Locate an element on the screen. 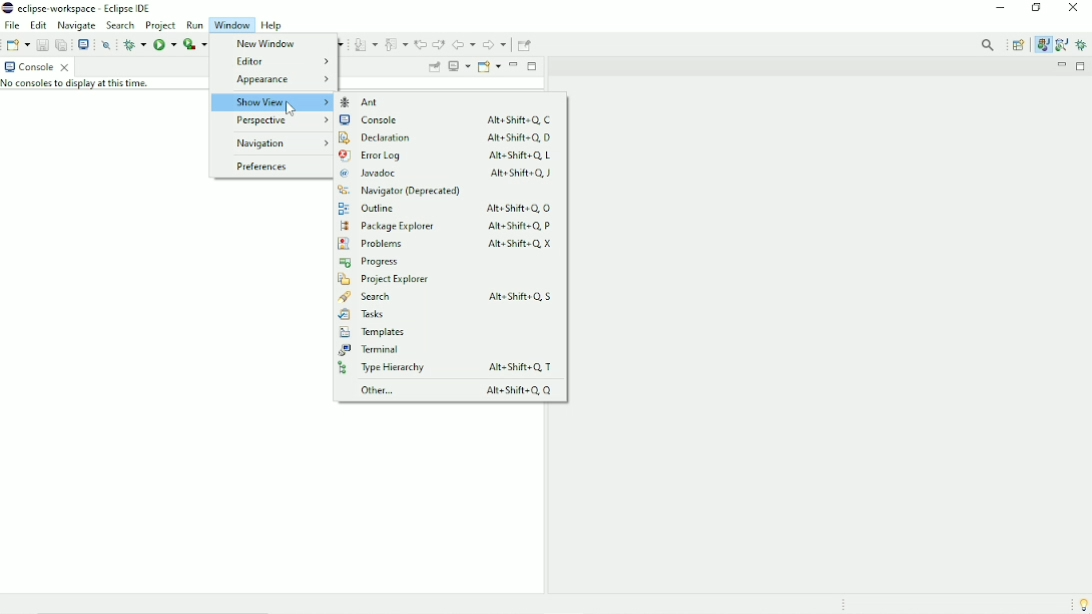 The width and height of the screenshot is (1092, 614). Tip is located at coordinates (1083, 603).